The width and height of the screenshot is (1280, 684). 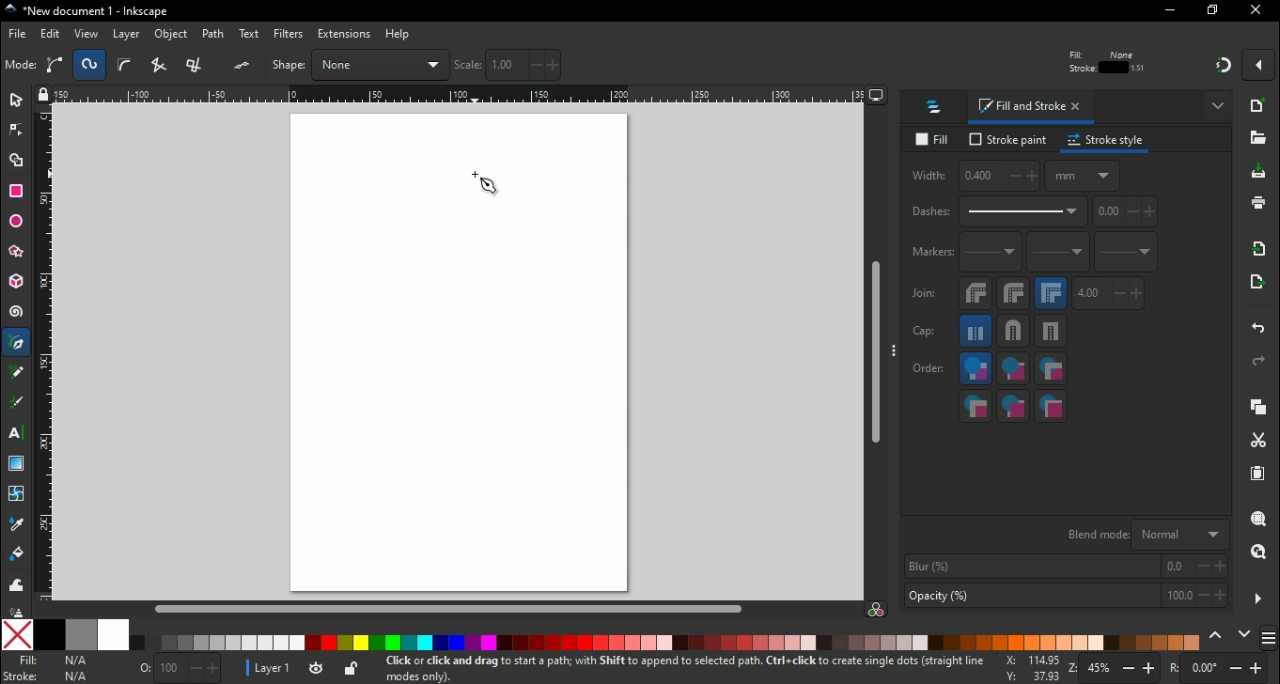 I want to click on tweak tool, so click(x=14, y=585).